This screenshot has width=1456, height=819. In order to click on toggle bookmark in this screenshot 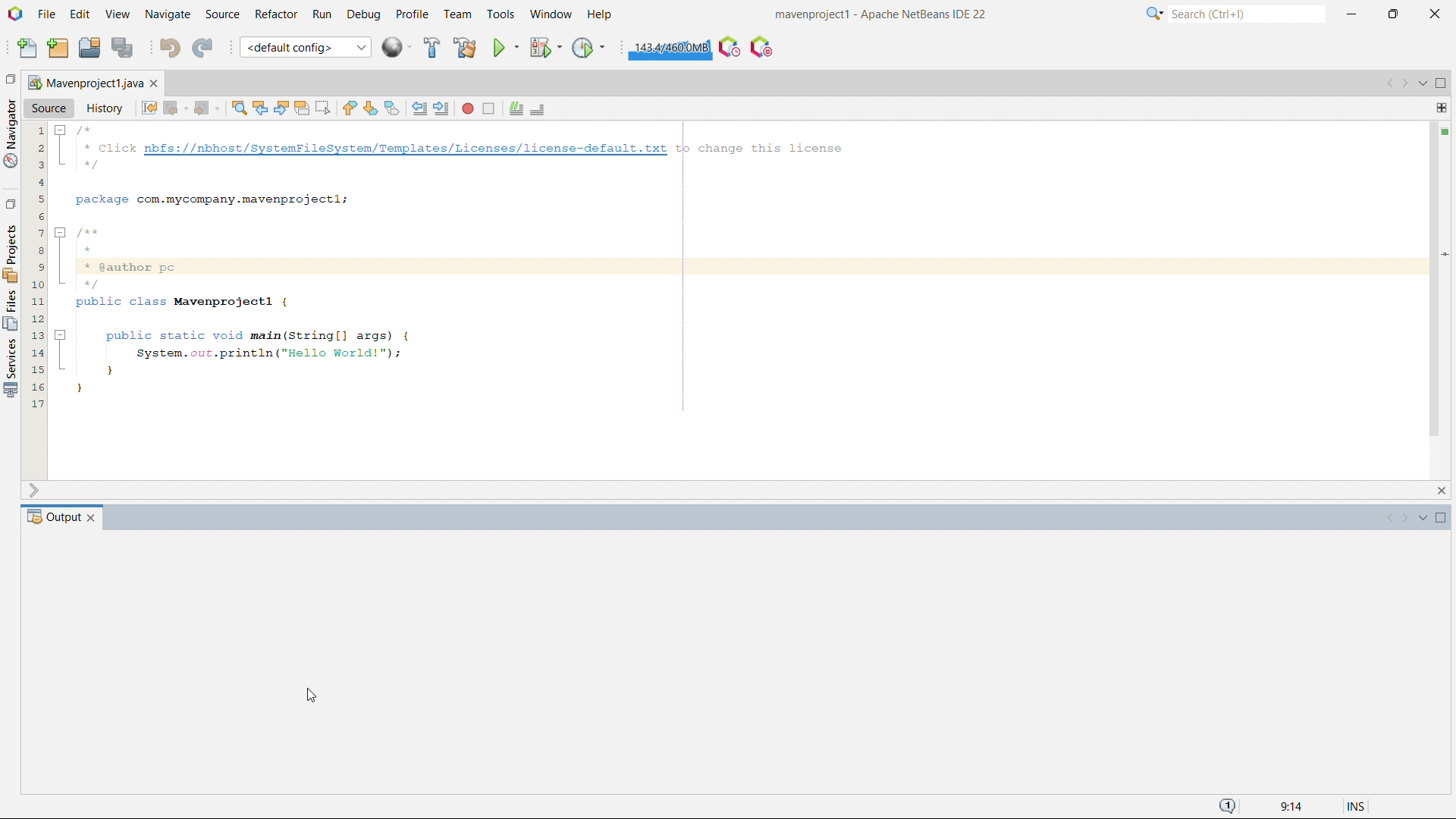, I will do `click(392, 108)`.